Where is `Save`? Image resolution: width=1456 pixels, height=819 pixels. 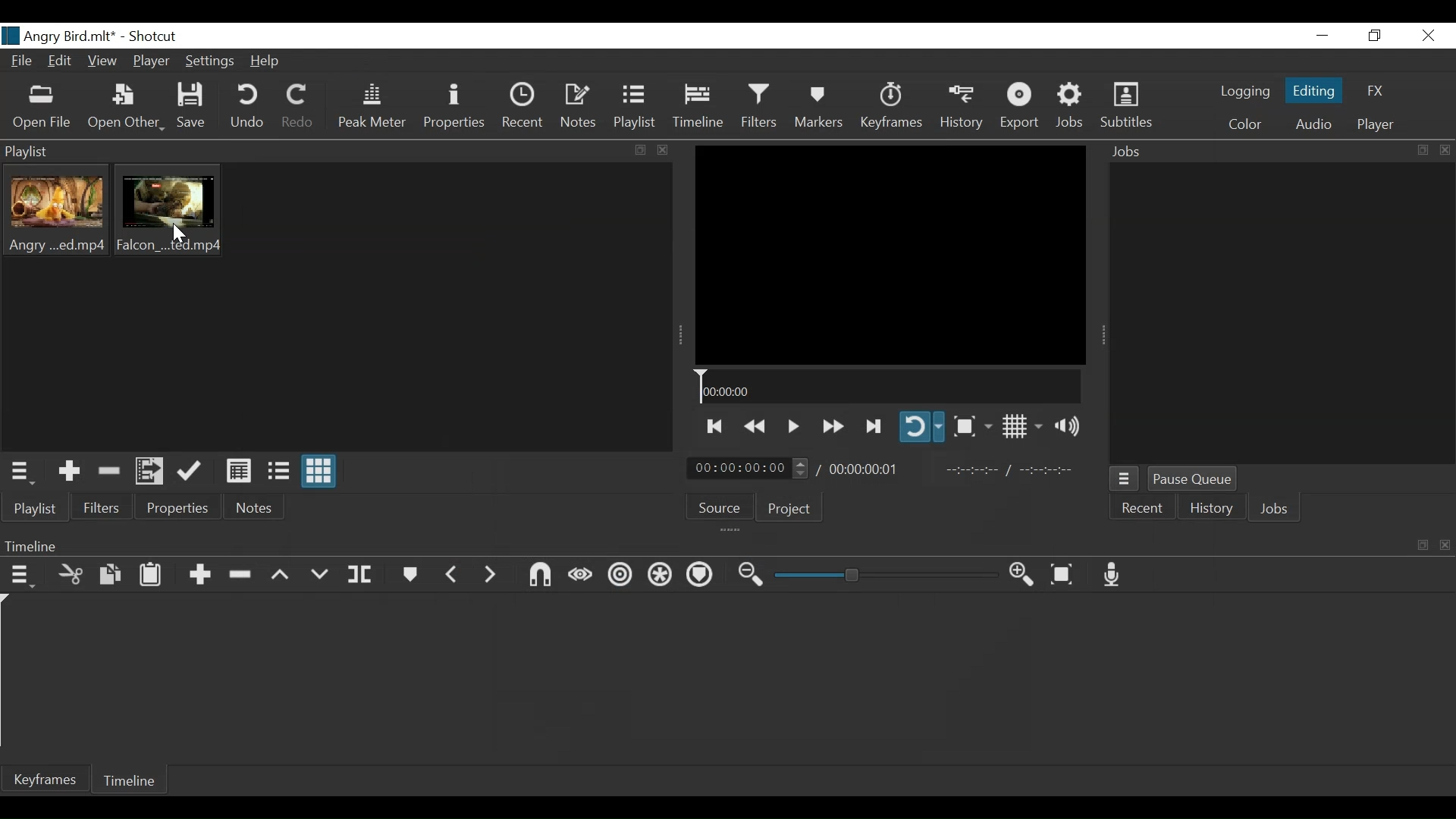
Save is located at coordinates (196, 106).